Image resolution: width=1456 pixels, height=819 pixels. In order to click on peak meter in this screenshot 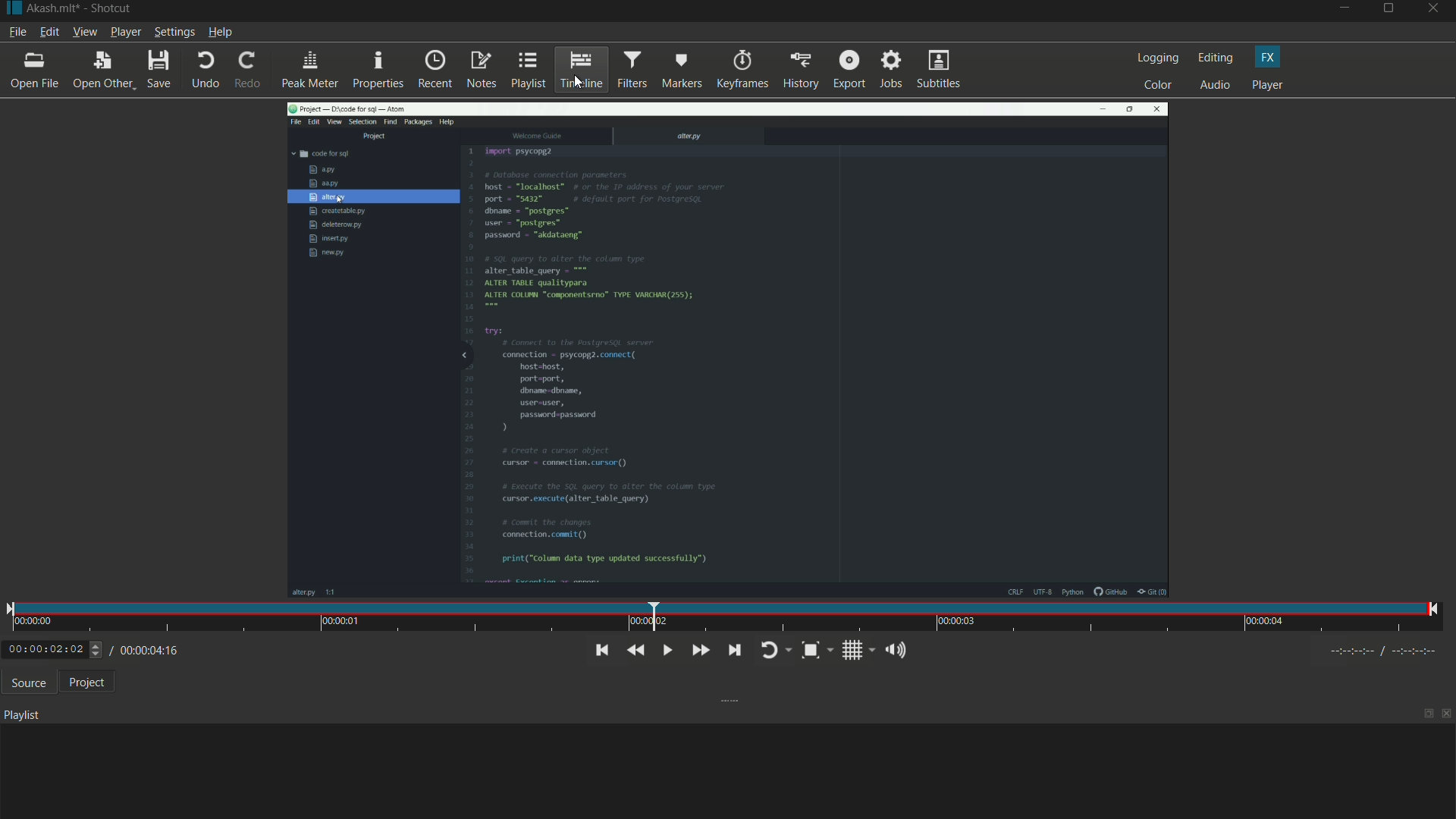, I will do `click(308, 70)`.